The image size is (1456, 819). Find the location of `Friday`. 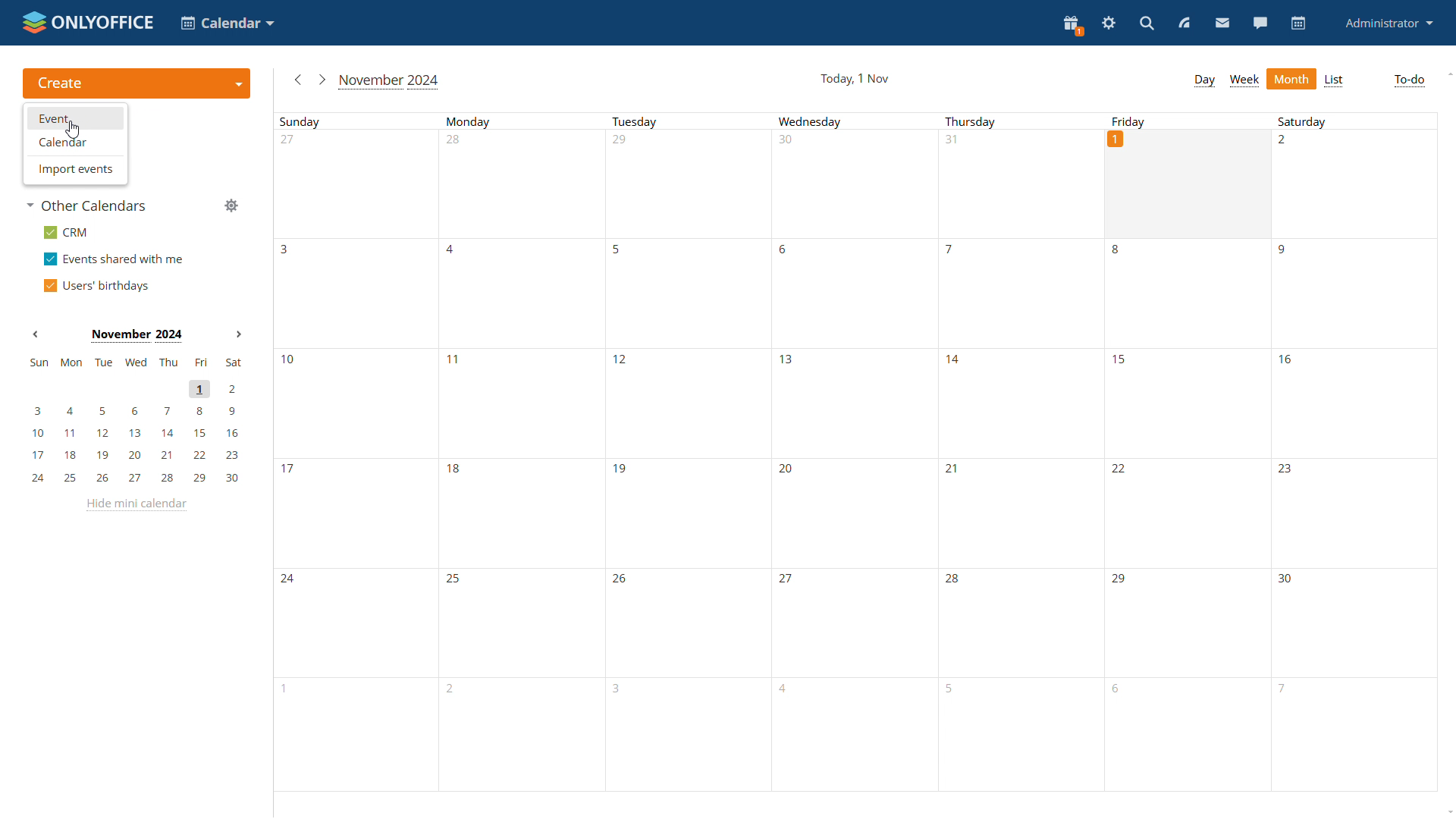

Friday is located at coordinates (1190, 120).